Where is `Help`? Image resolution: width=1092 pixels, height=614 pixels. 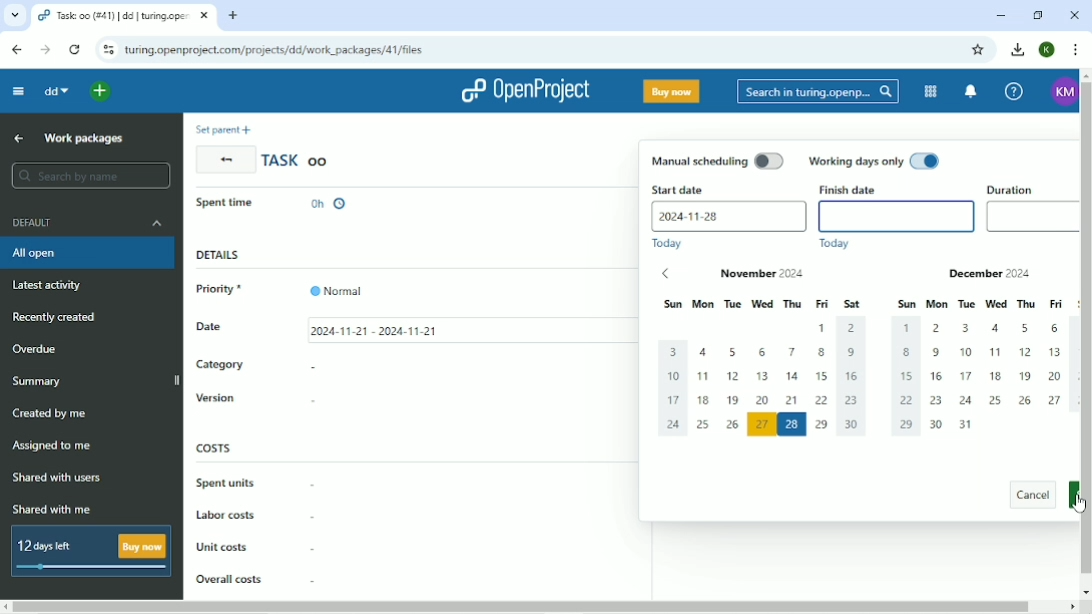 Help is located at coordinates (1014, 90).